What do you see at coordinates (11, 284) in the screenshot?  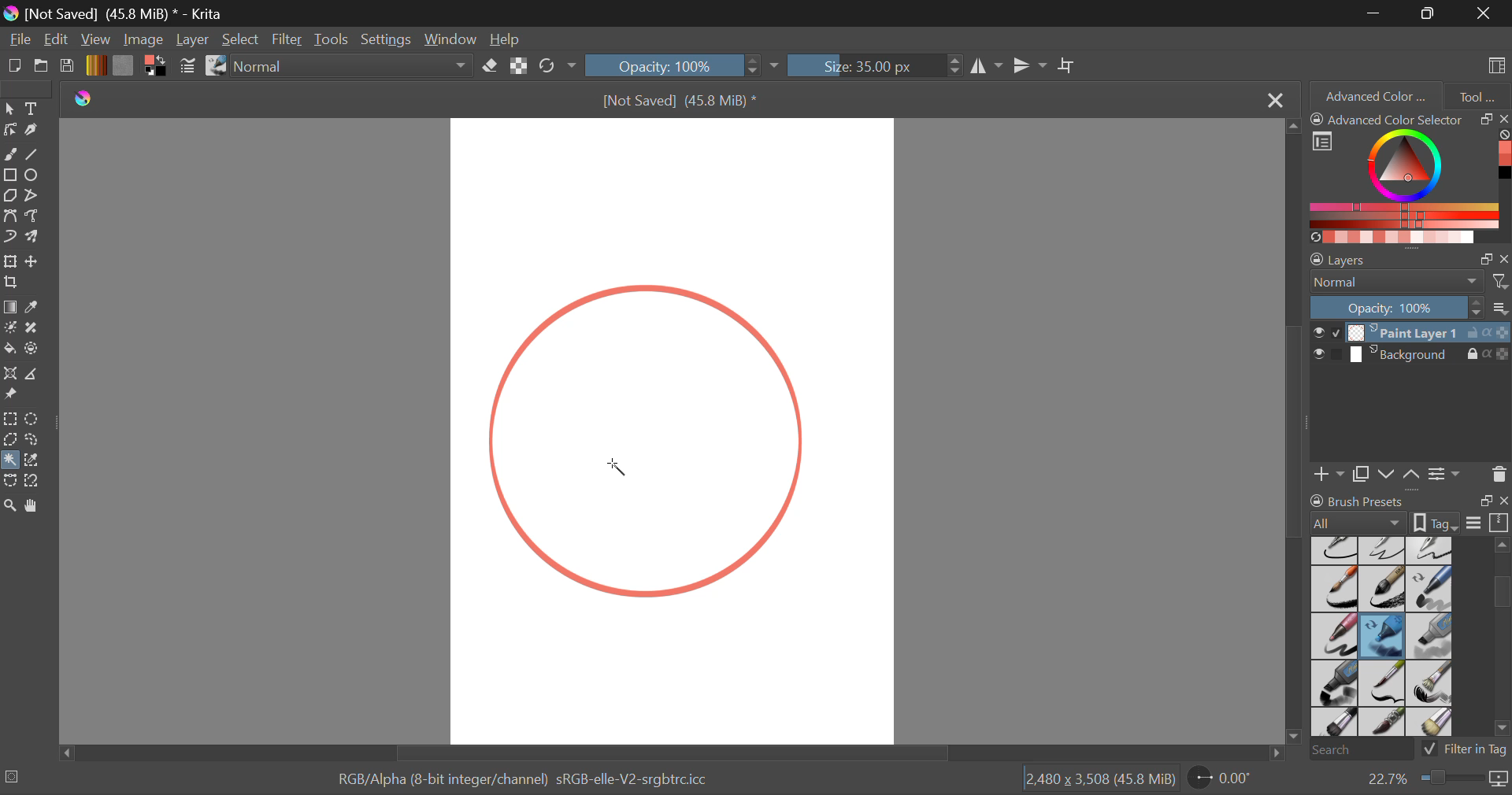 I see `Crop a layer` at bounding box center [11, 284].